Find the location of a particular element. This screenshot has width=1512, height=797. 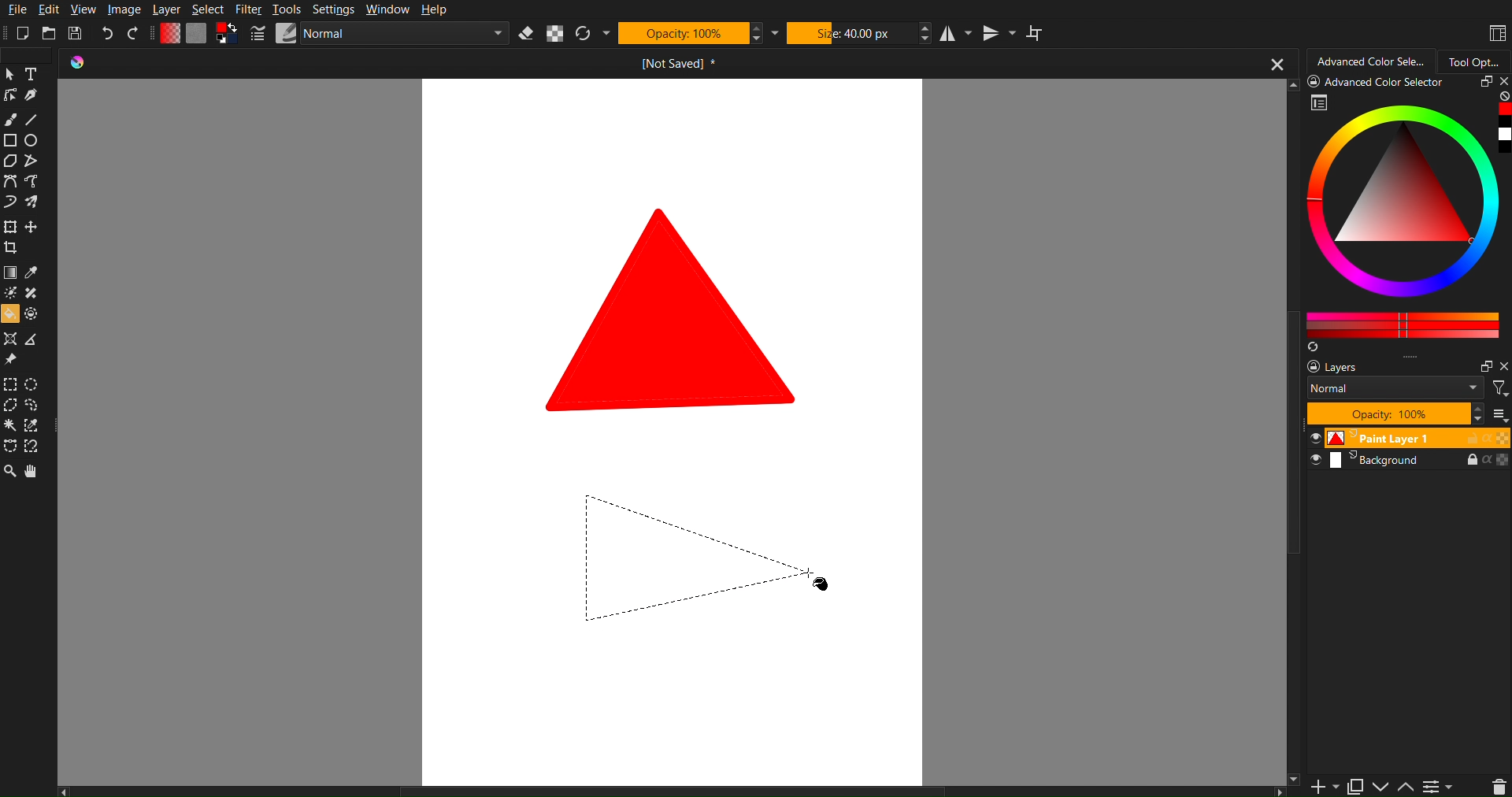

Brightness is located at coordinates (9, 293).